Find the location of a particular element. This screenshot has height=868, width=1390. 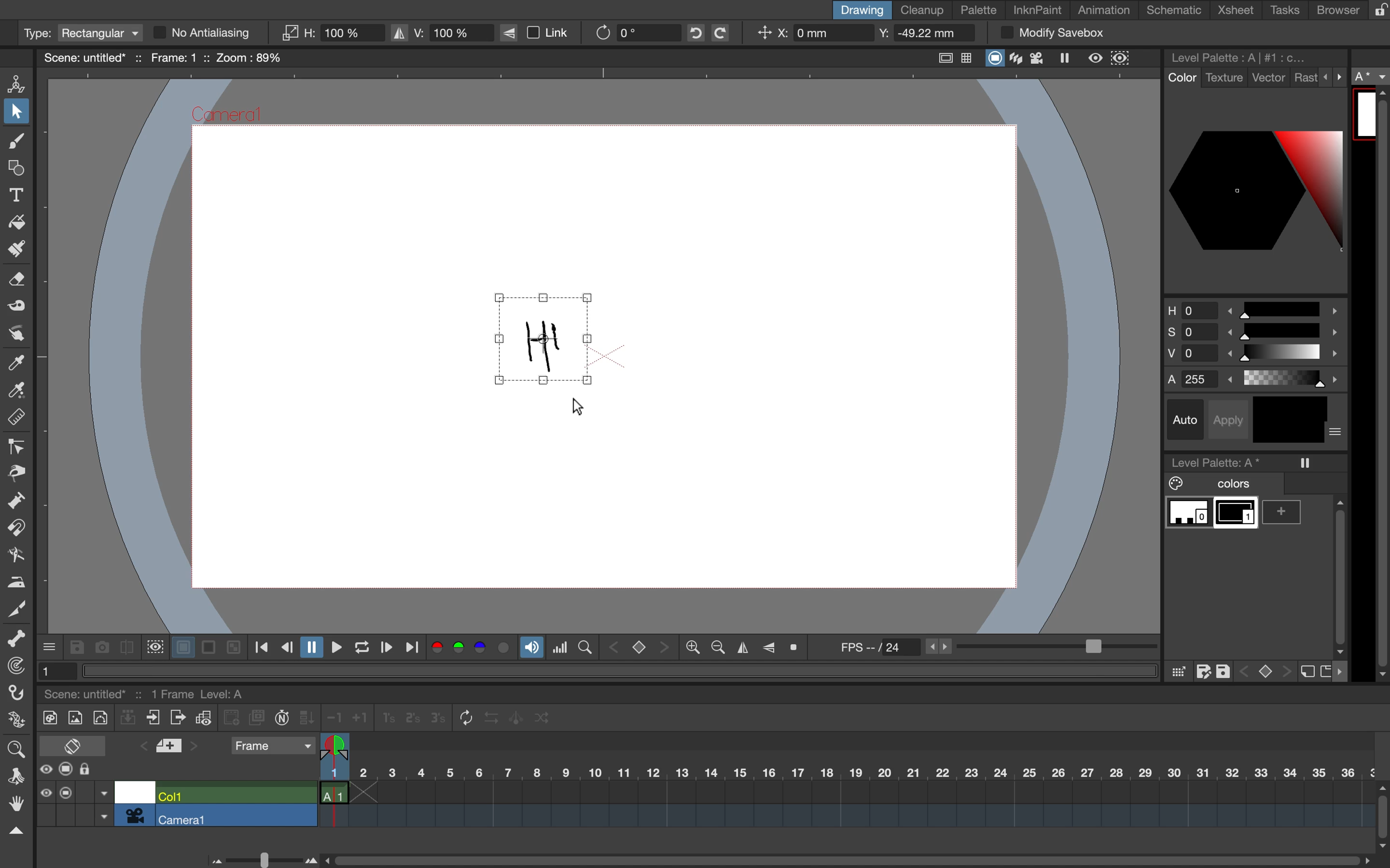

frame is located at coordinates (272, 747).